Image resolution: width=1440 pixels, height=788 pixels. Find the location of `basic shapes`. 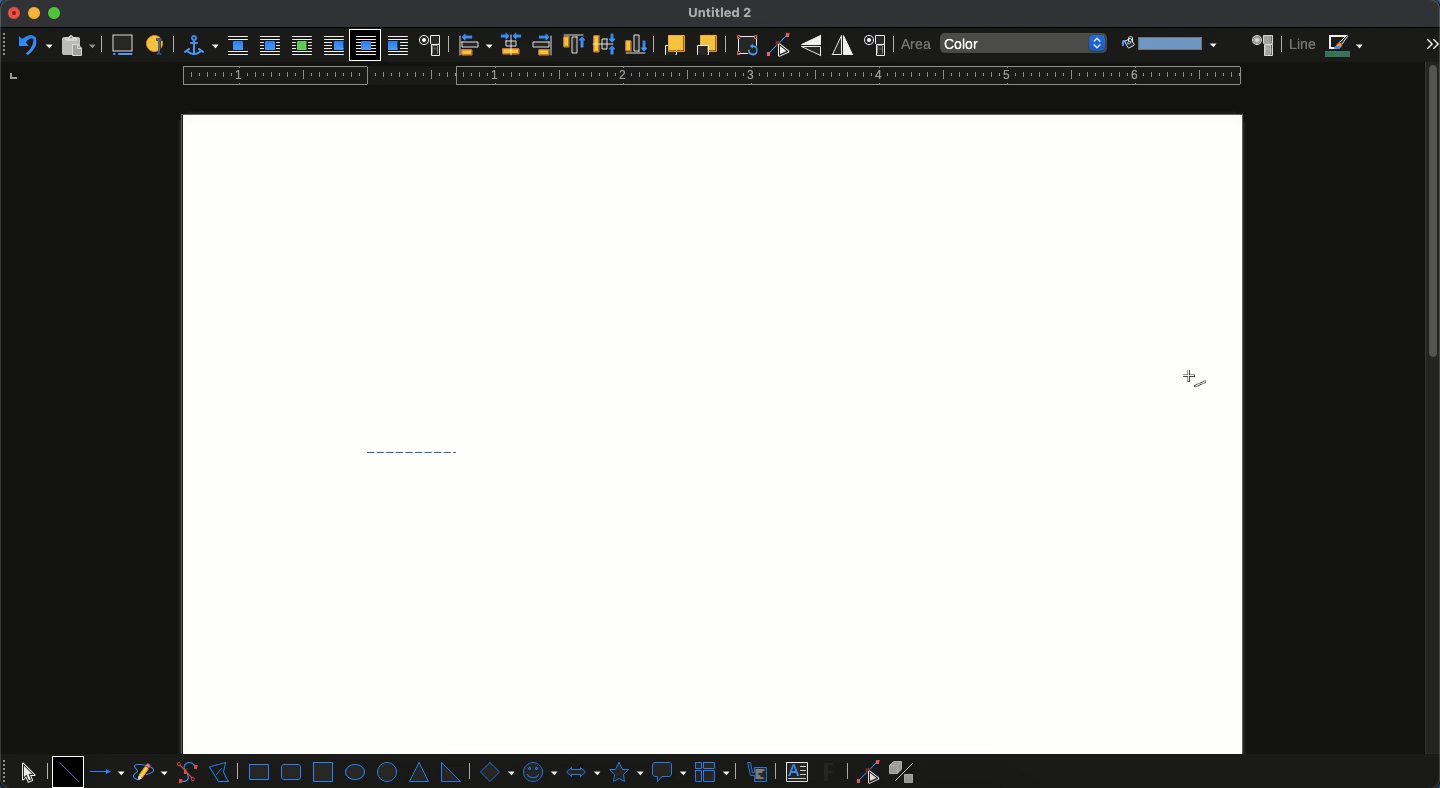

basic shapes is located at coordinates (494, 771).